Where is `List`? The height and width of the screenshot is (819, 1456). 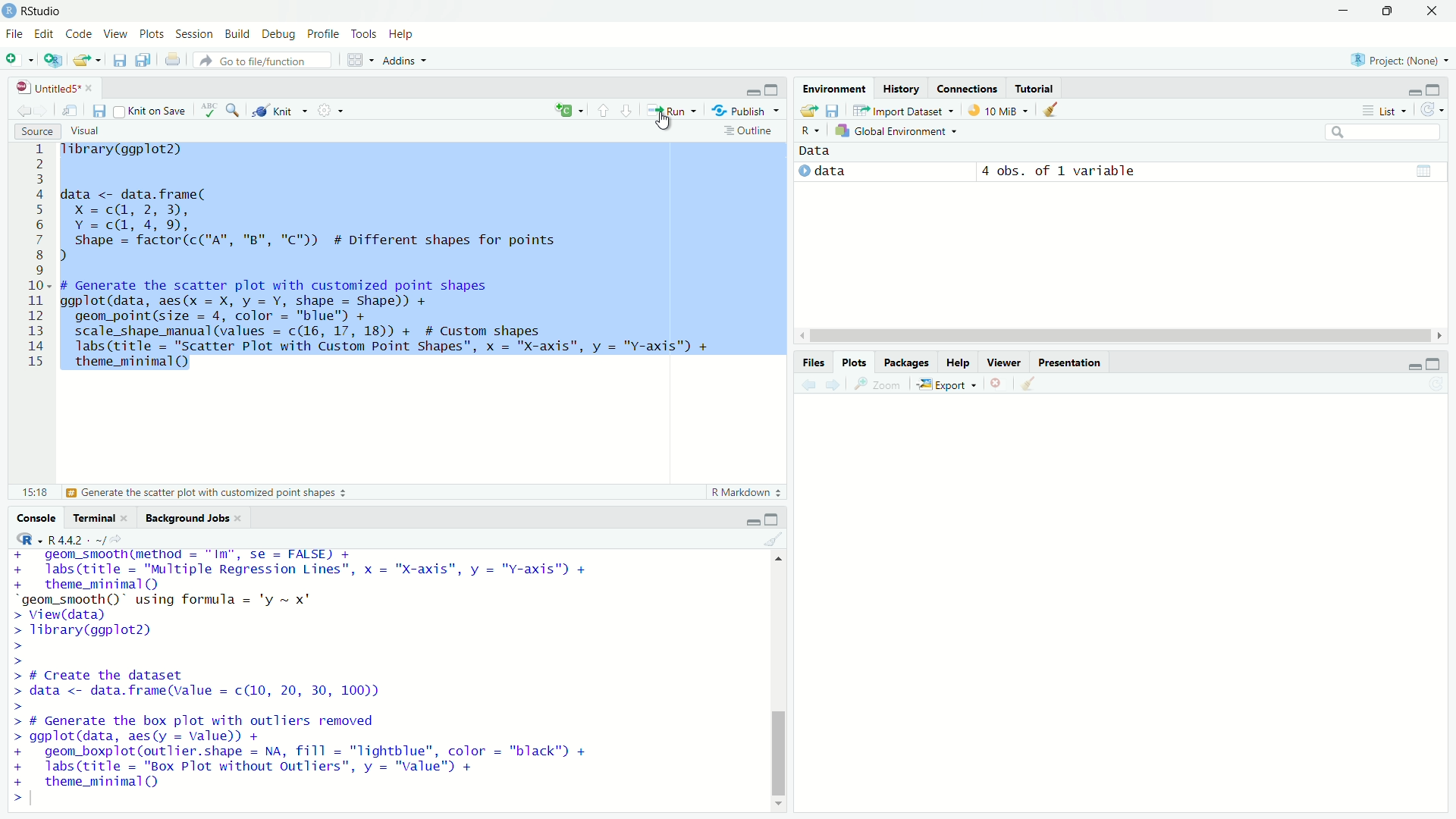 List is located at coordinates (1382, 109).